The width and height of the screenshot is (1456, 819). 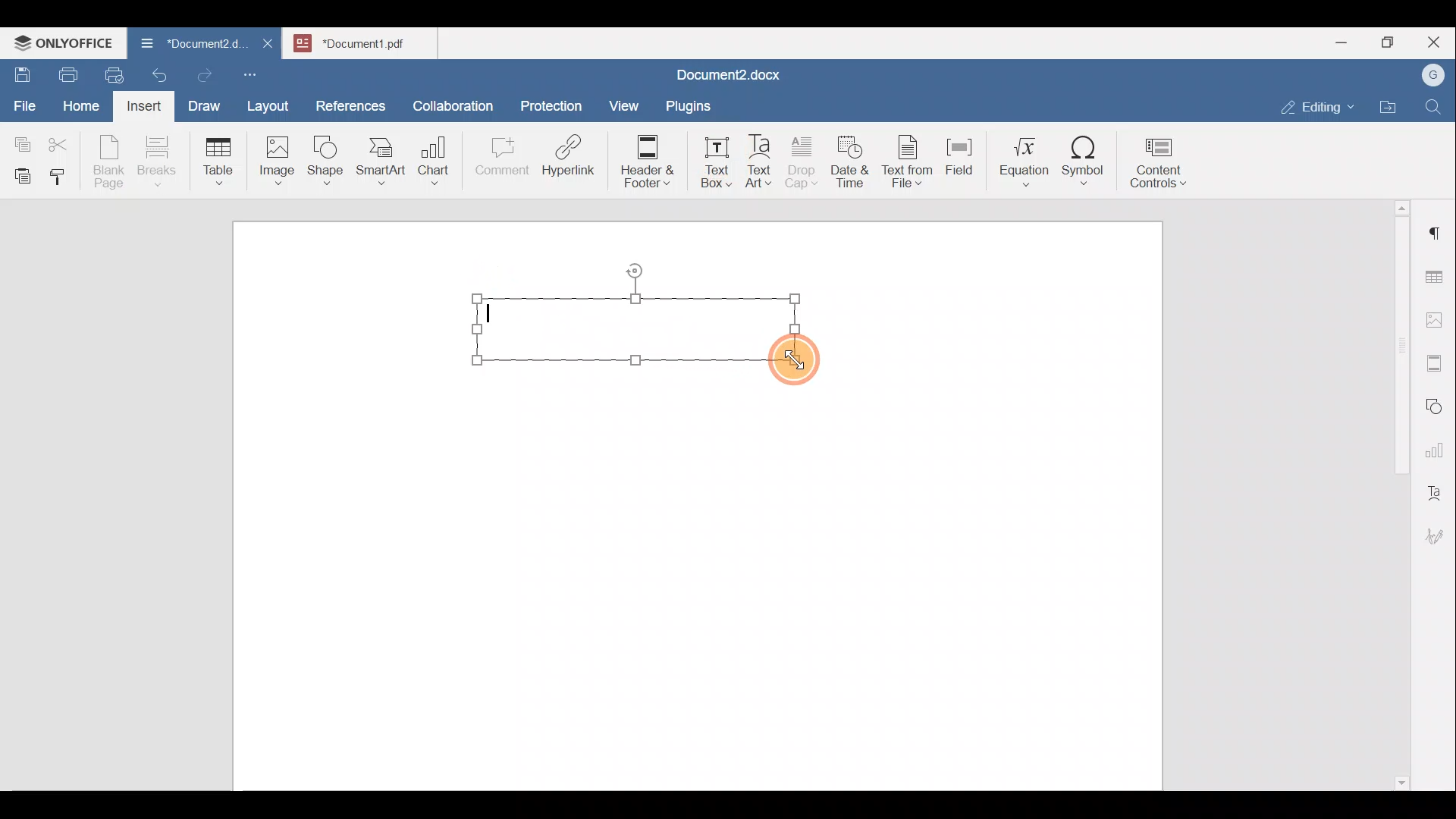 I want to click on Protection, so click(x=556, y=104).